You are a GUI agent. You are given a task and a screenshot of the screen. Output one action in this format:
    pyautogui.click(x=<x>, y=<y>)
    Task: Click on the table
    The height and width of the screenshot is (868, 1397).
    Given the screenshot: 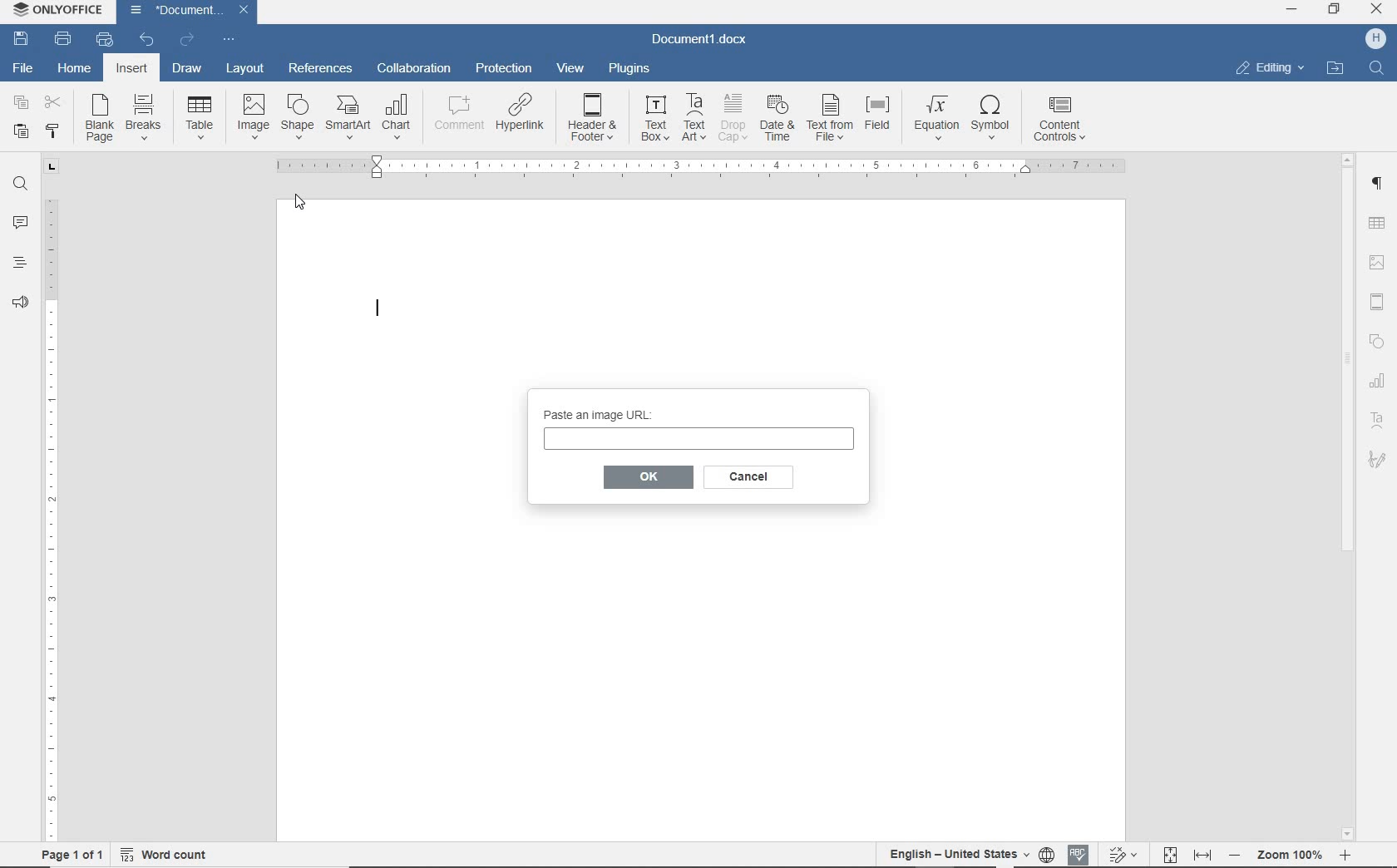 What is the action you would take?
    pyautogui.click(x=1380, y=221)
    